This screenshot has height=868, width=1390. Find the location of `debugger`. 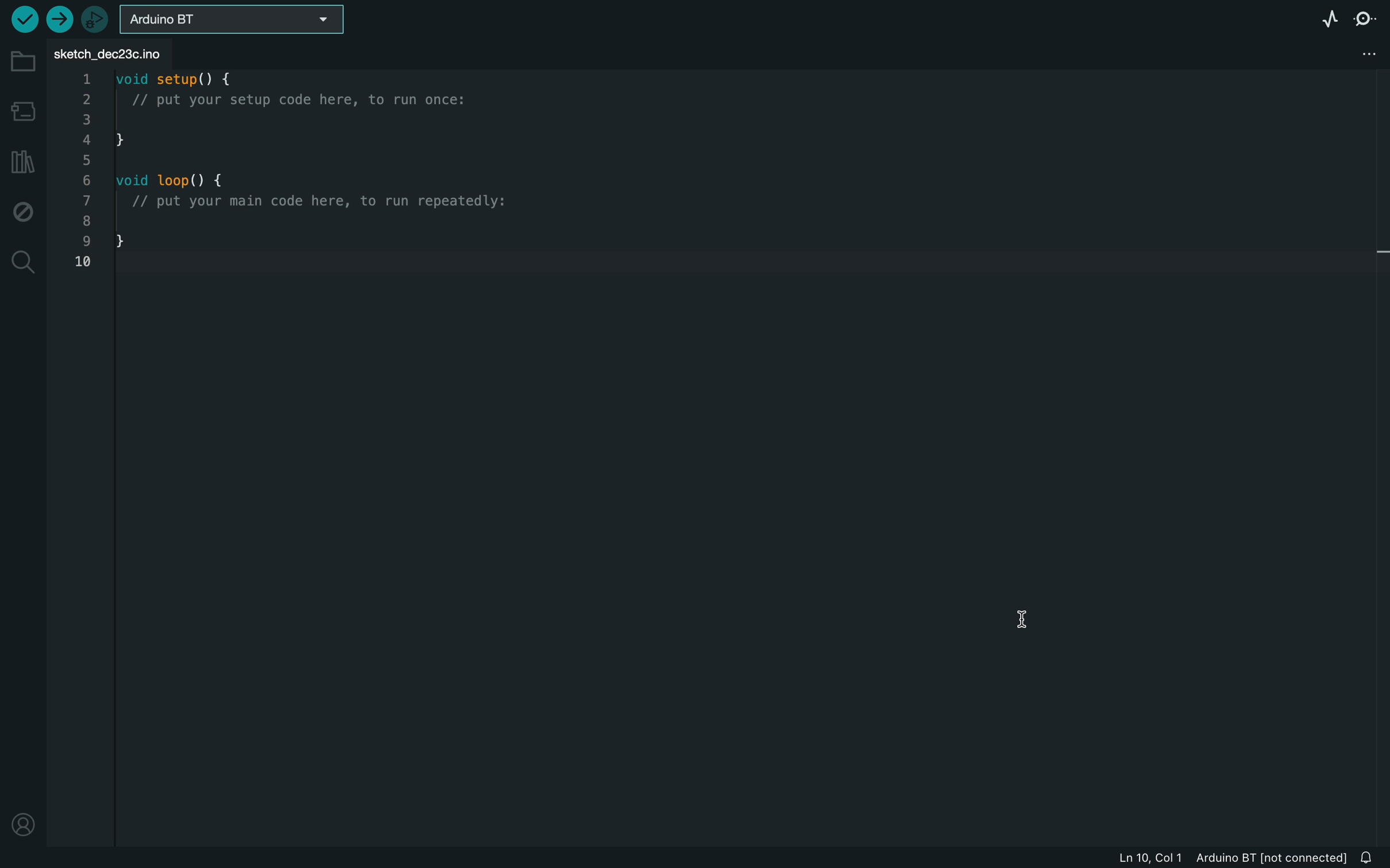

debugger is located at coordinates (96, 20).